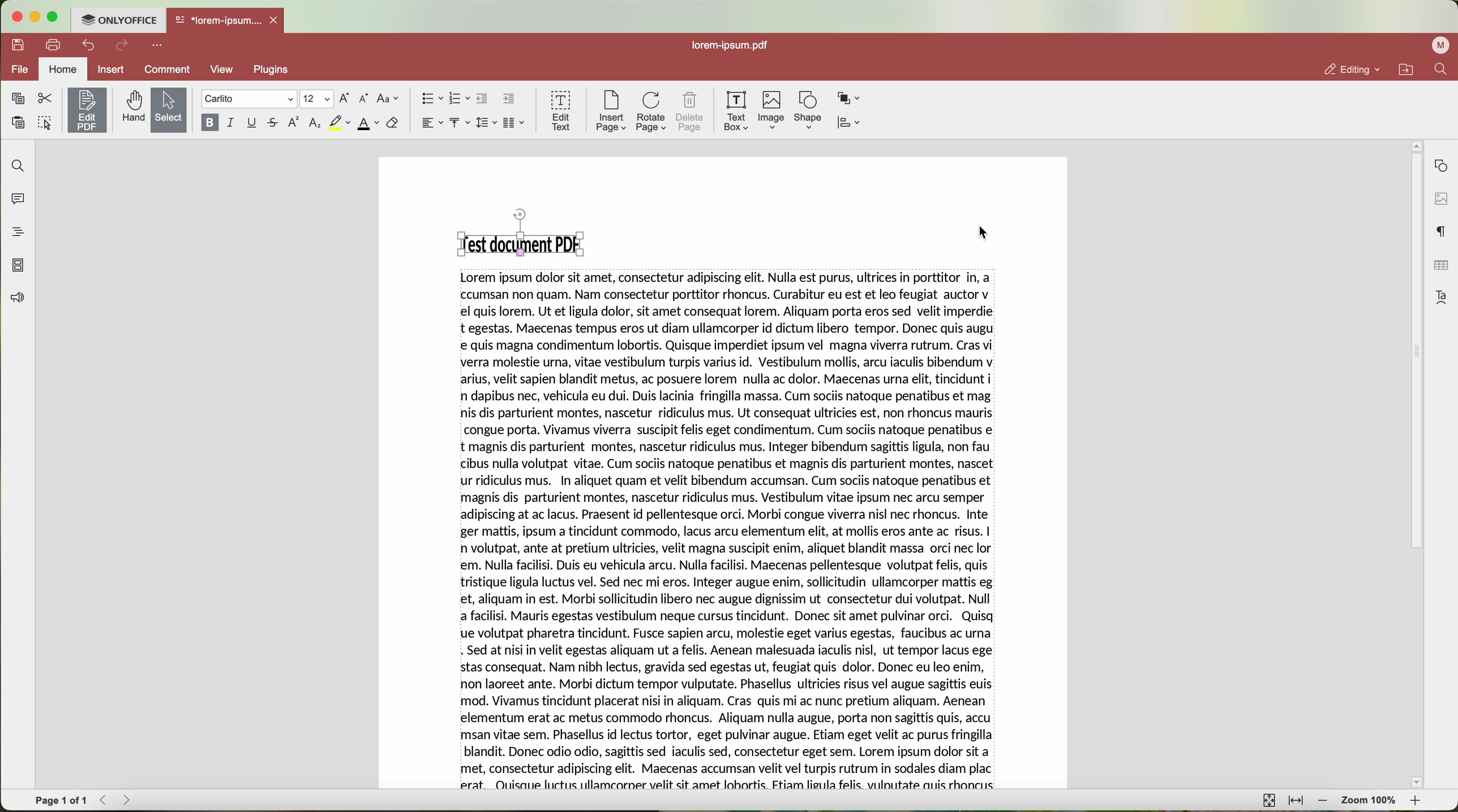  What do you see at coordinates (431, 98) in the screenshot?
I see `bullets` at bounding box center [431, 98].